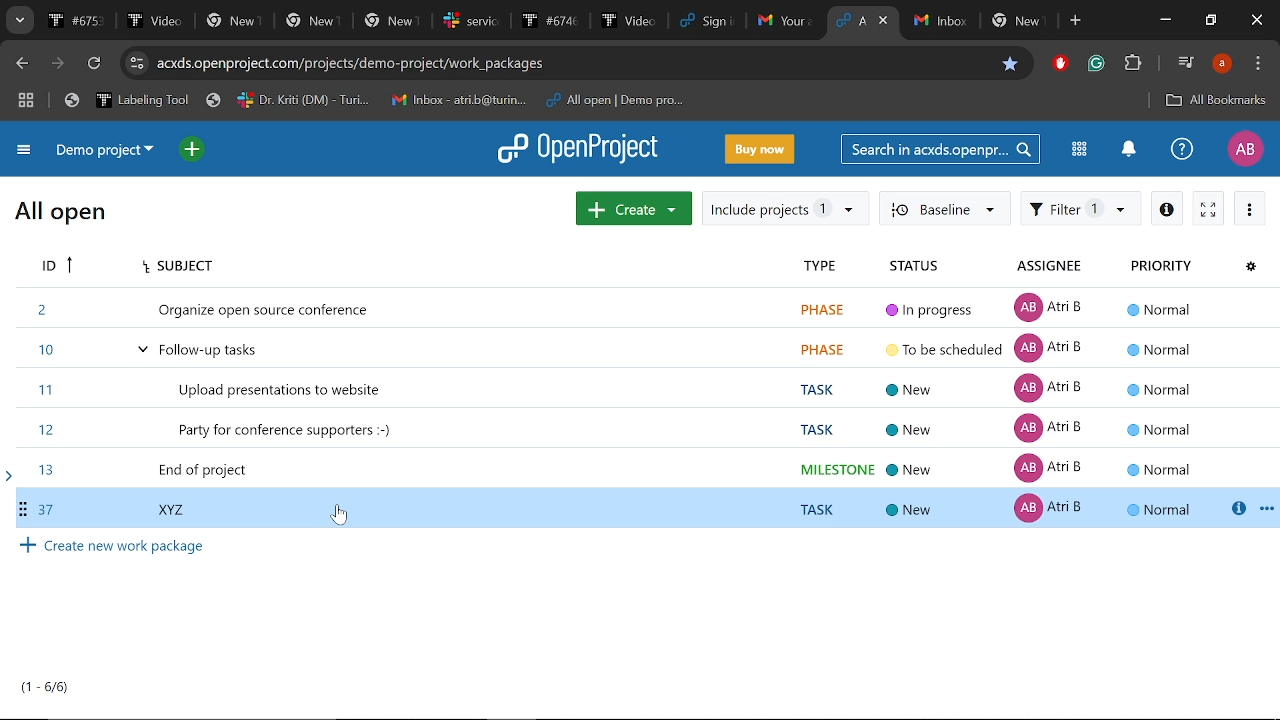 The height and width of the screenshot is (720, 1280). Describe the element at coordinates (1258, 64) in the screenshot. I see `Customize and control chrome` at that location.